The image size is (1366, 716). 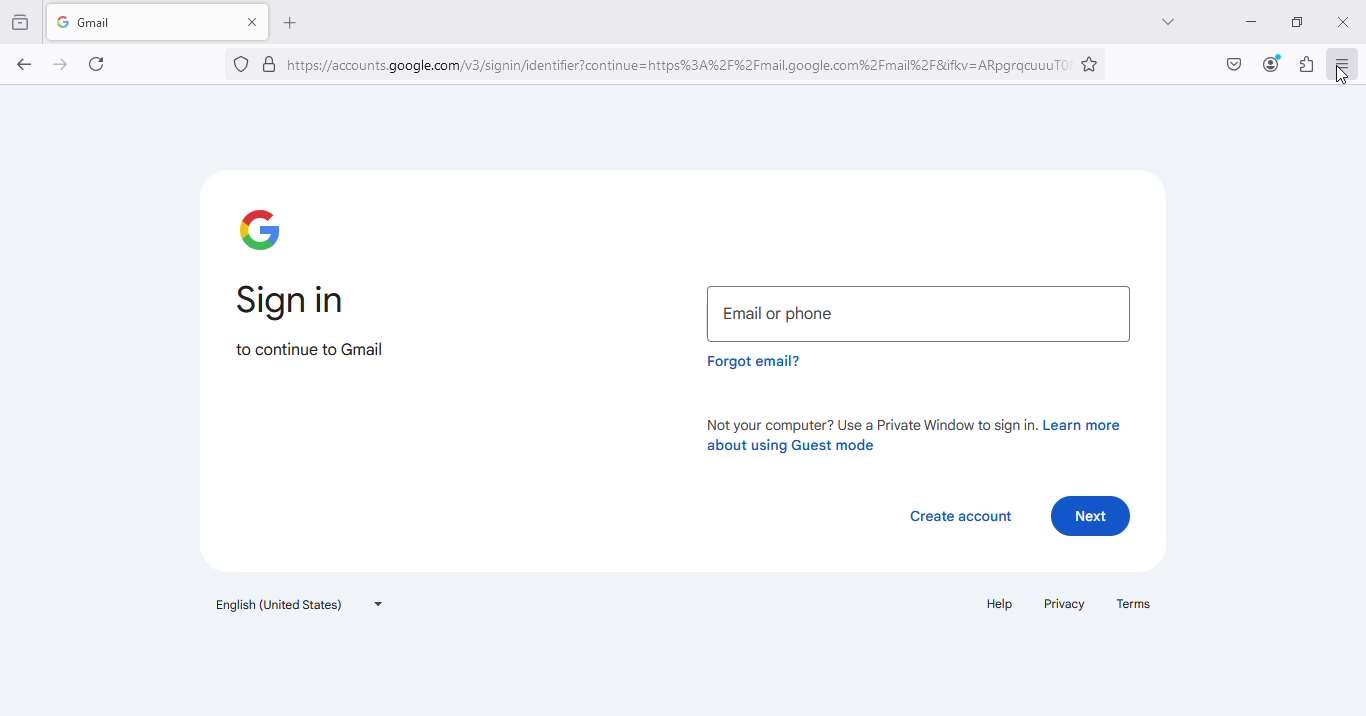 What do you see at coordinates (1346, 22) in the screenshot?
I see `close` at bounding box center [1346, 22].